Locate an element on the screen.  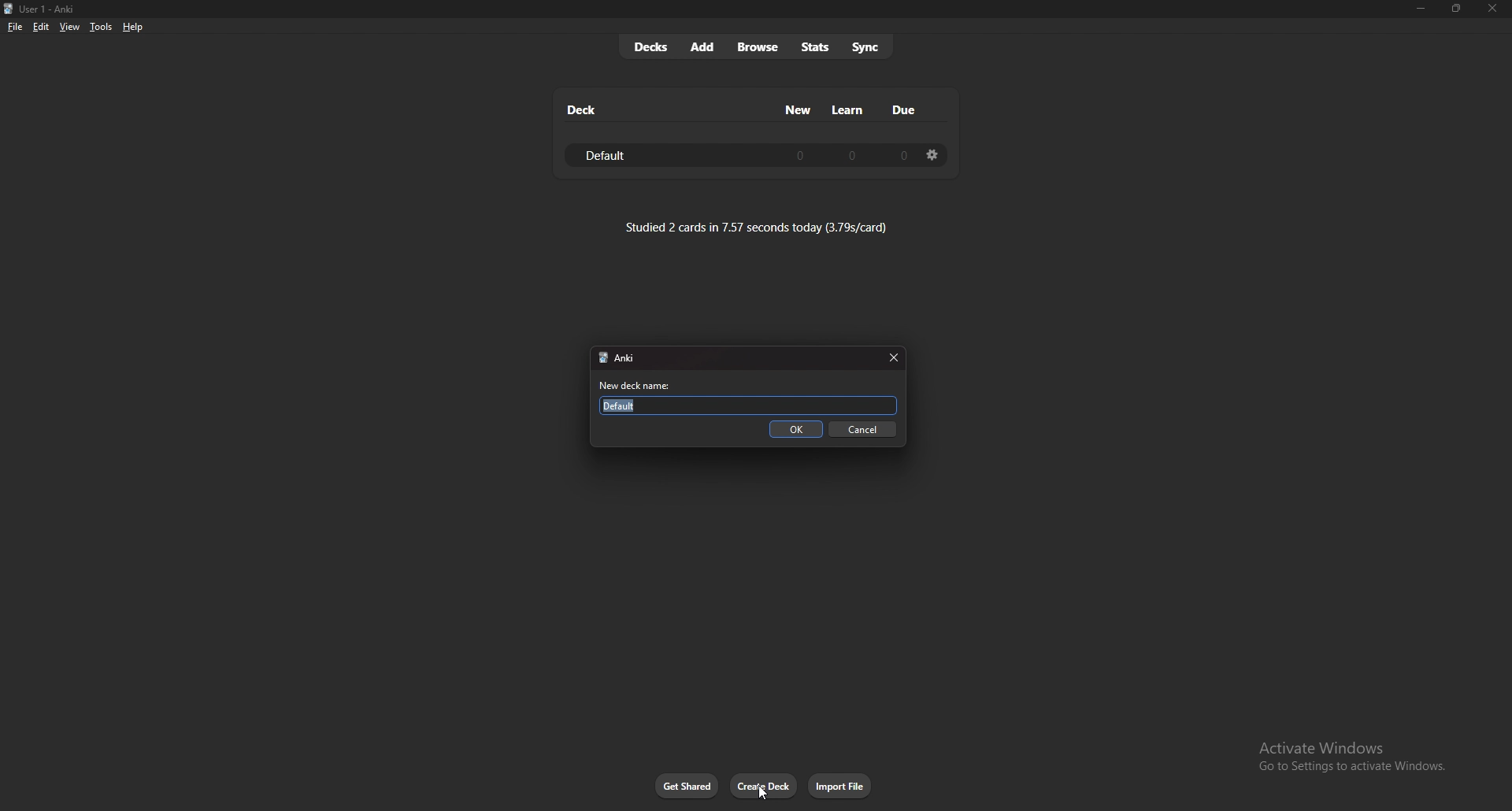
ok is located at coordinates (798, 430).